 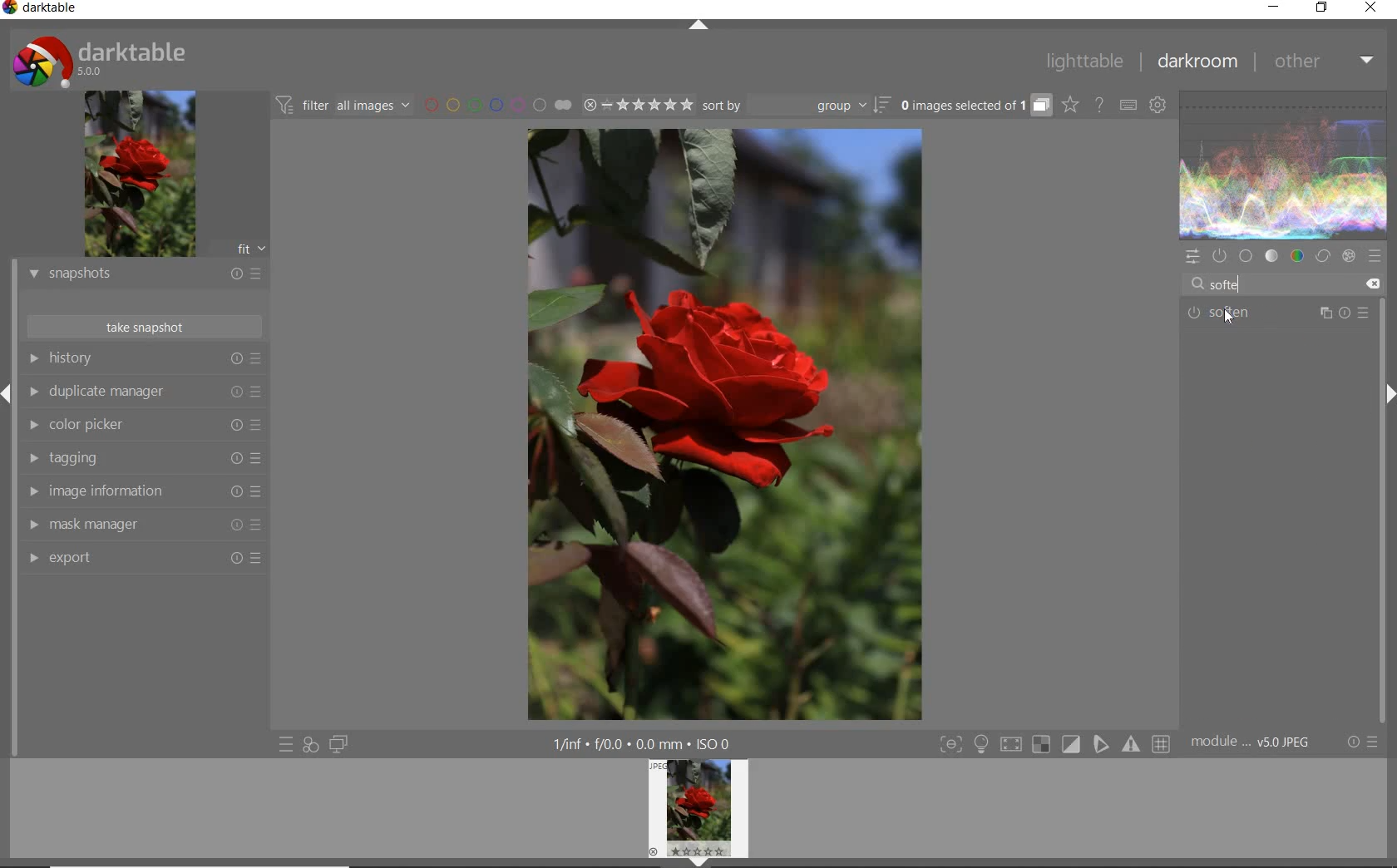 What do you see at coordinates (286, 745) in the screenshot?
I see `quick access to presets` at bounding box center [286, 745].